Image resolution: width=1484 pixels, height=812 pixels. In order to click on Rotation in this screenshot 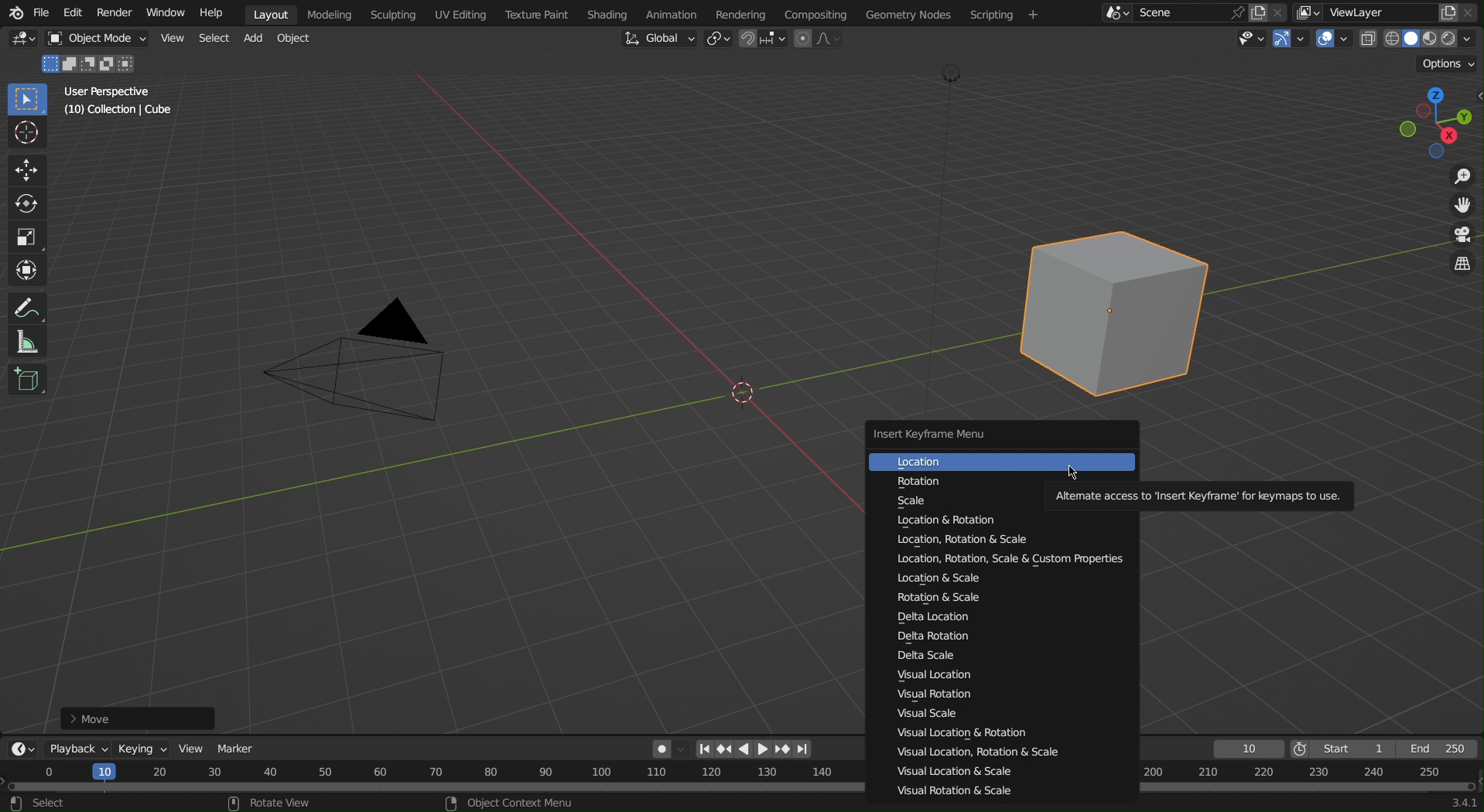, I will do `click(1002, 483)`.